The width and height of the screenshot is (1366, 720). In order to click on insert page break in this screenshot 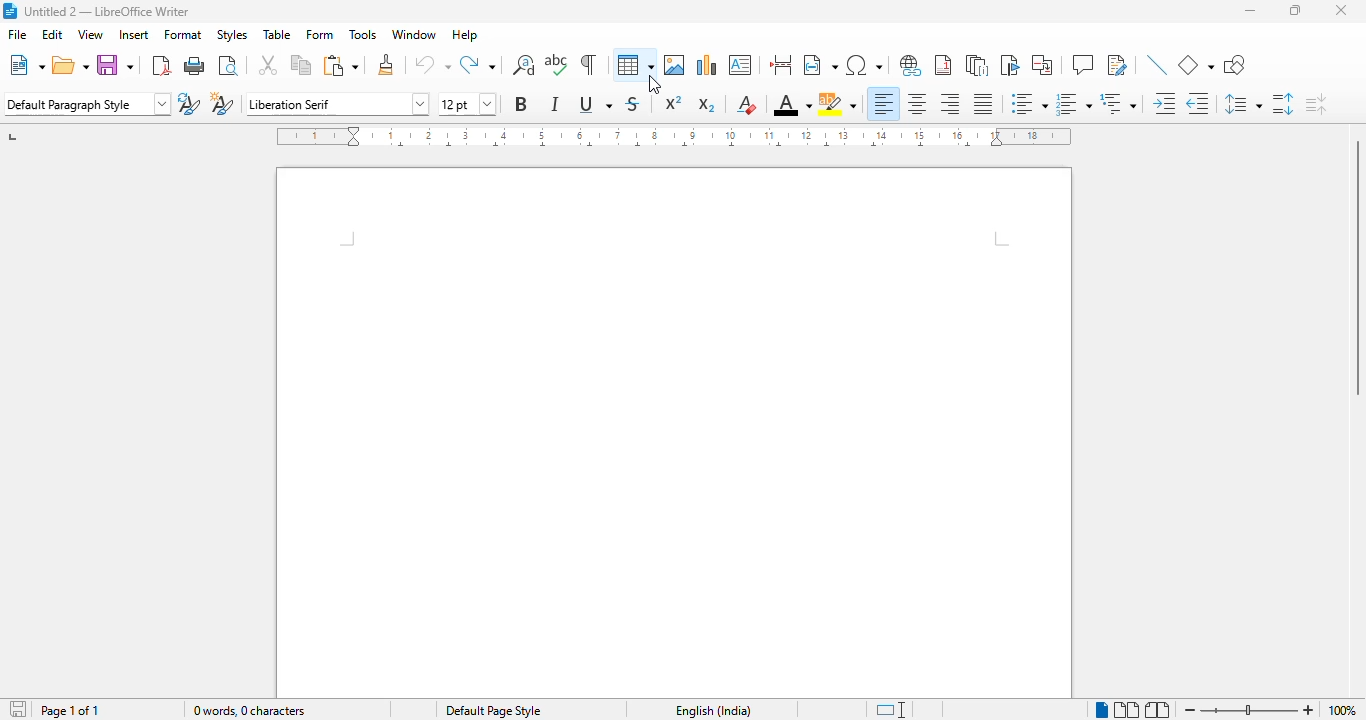, I will do `click(782, 64)`.